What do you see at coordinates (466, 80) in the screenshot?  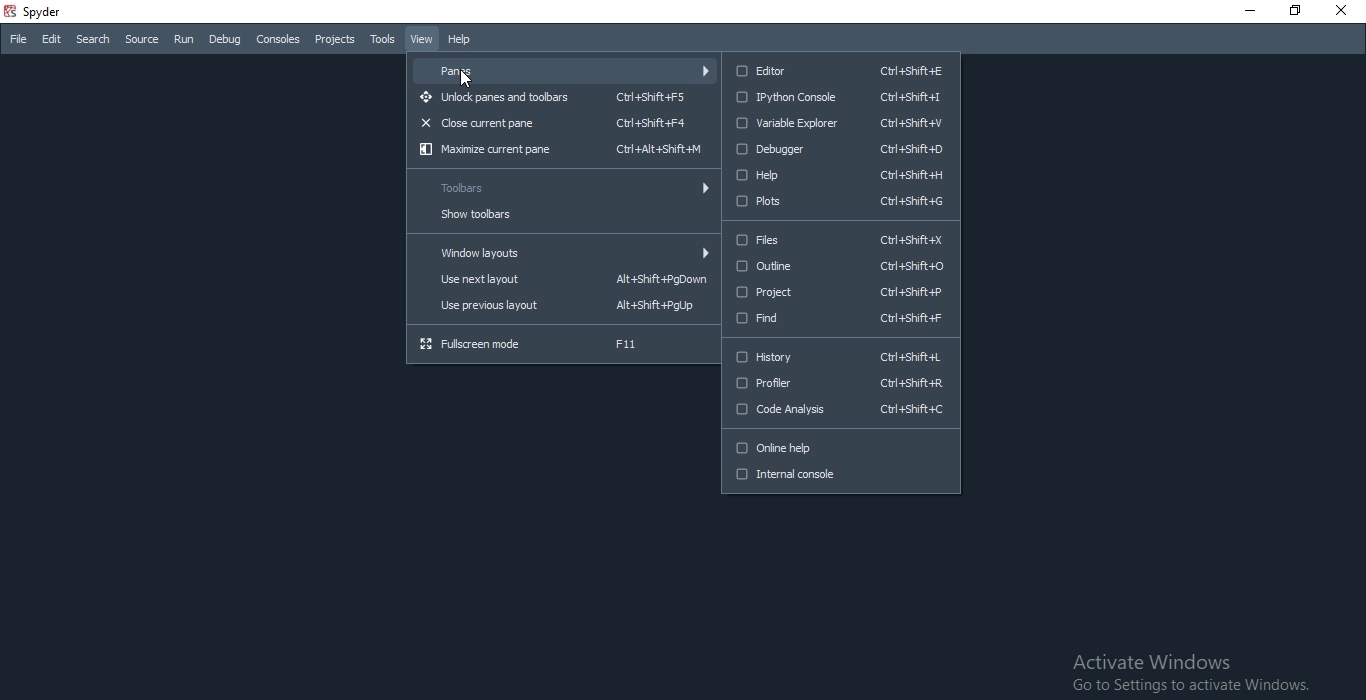 I see `cursor ` at bounding box center [466, 80].